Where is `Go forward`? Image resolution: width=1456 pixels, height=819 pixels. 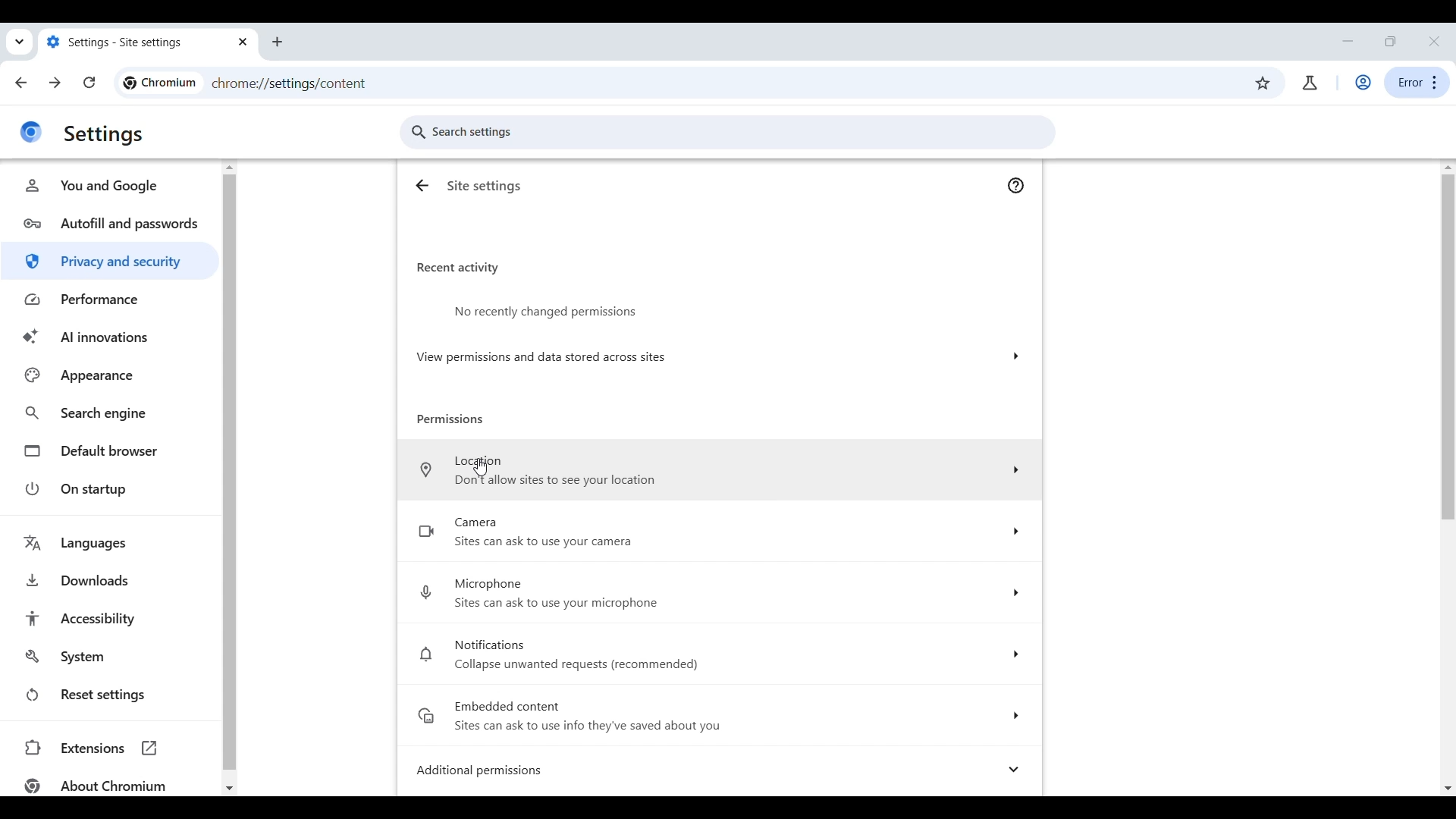
Go forward is located at coordinates (55, 83).